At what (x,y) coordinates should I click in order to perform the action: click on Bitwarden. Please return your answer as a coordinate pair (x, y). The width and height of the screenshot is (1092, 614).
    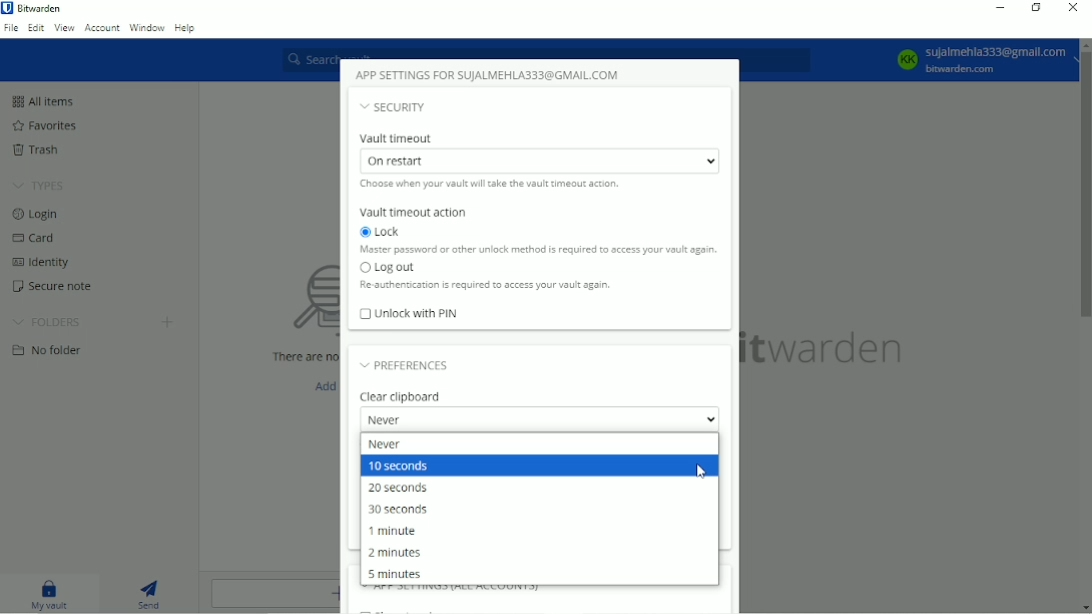
    Looking at the image, I should click on (70, 9).